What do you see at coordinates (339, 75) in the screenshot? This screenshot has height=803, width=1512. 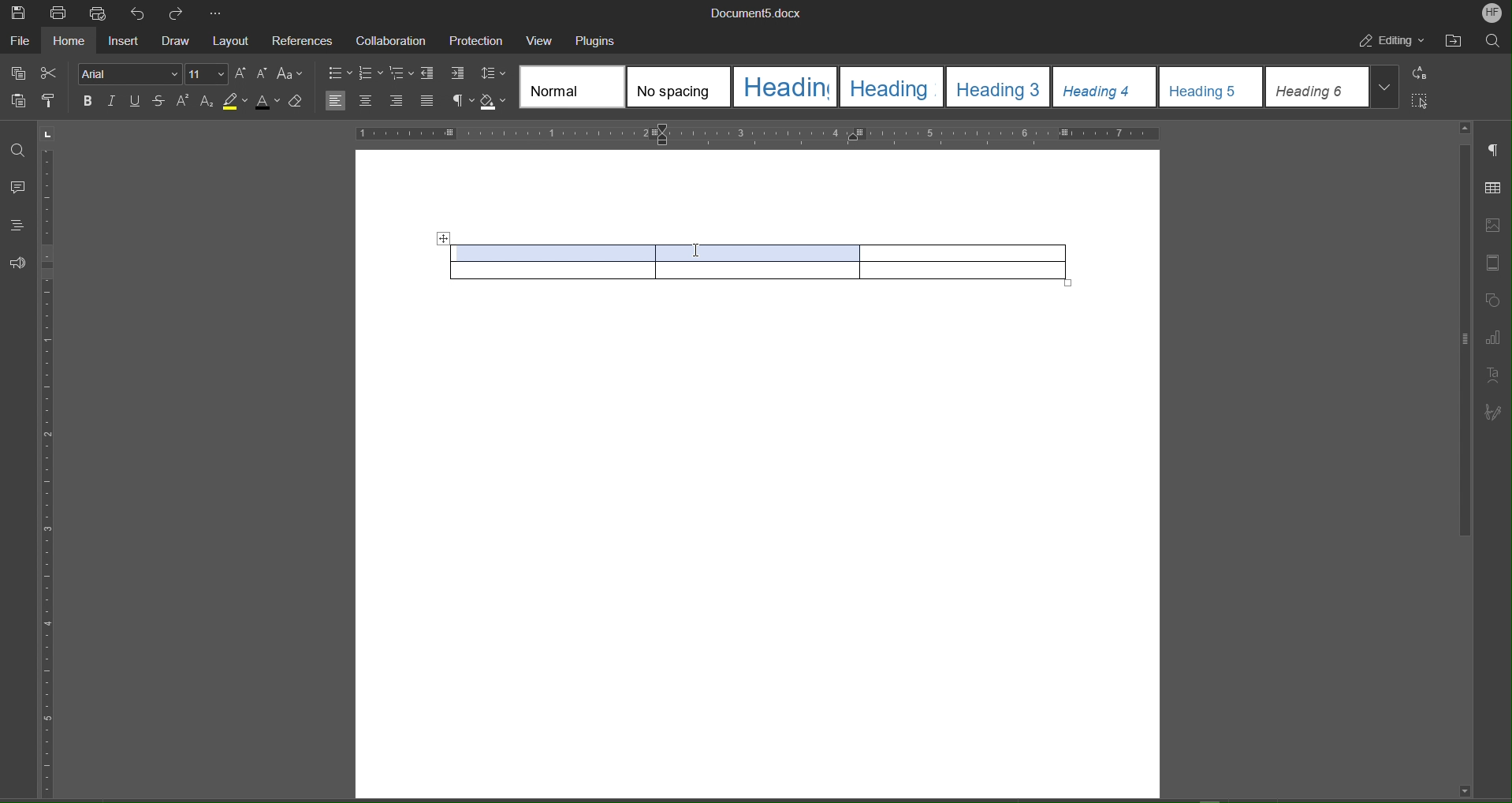 I see `bullets` at bounding box center [339, 75].